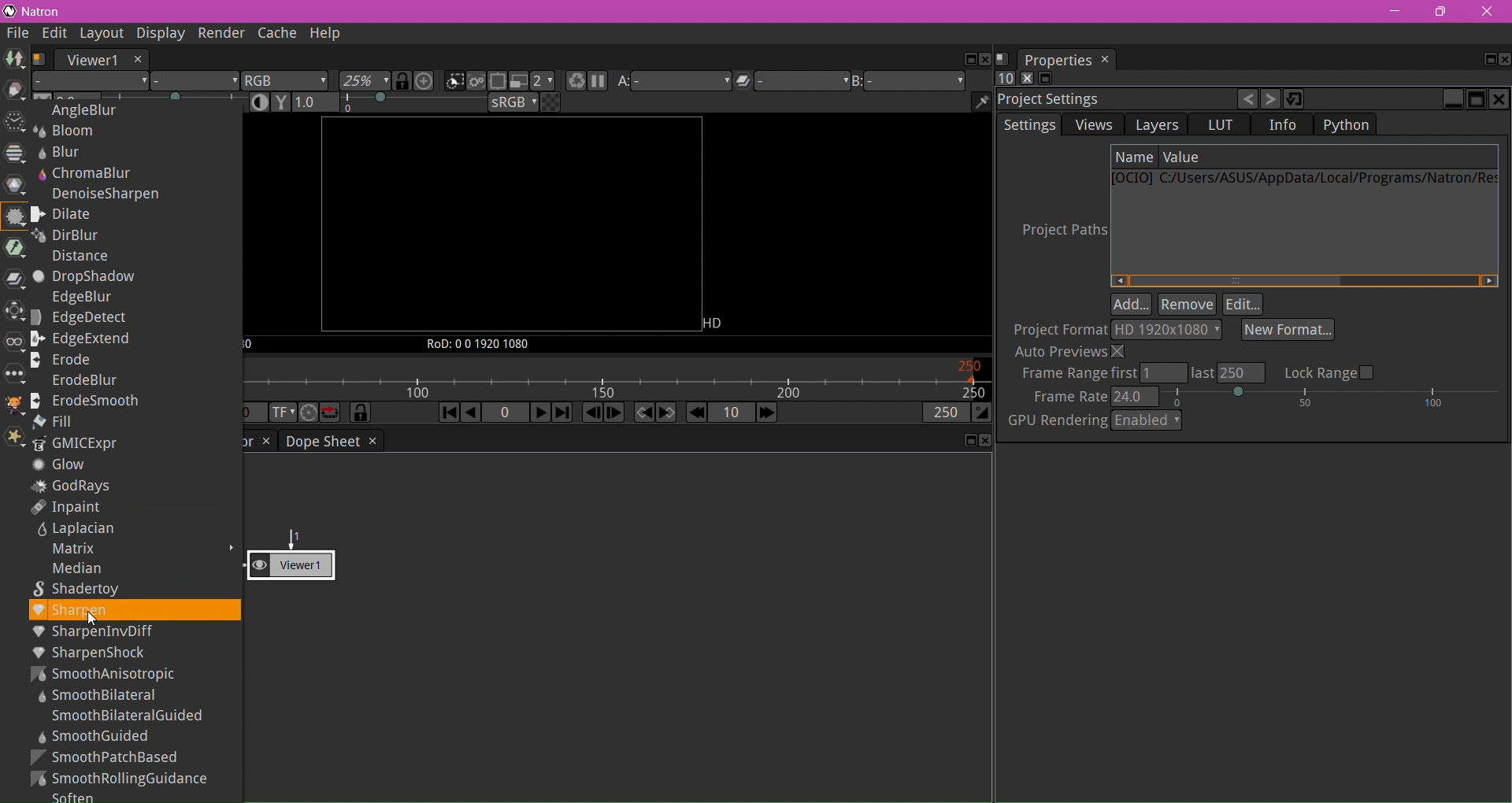  What do you see at coordinates (1002, 60) in the screenshot?
I see `Manage layouts for this pane` at bounding box center [1002, 60].